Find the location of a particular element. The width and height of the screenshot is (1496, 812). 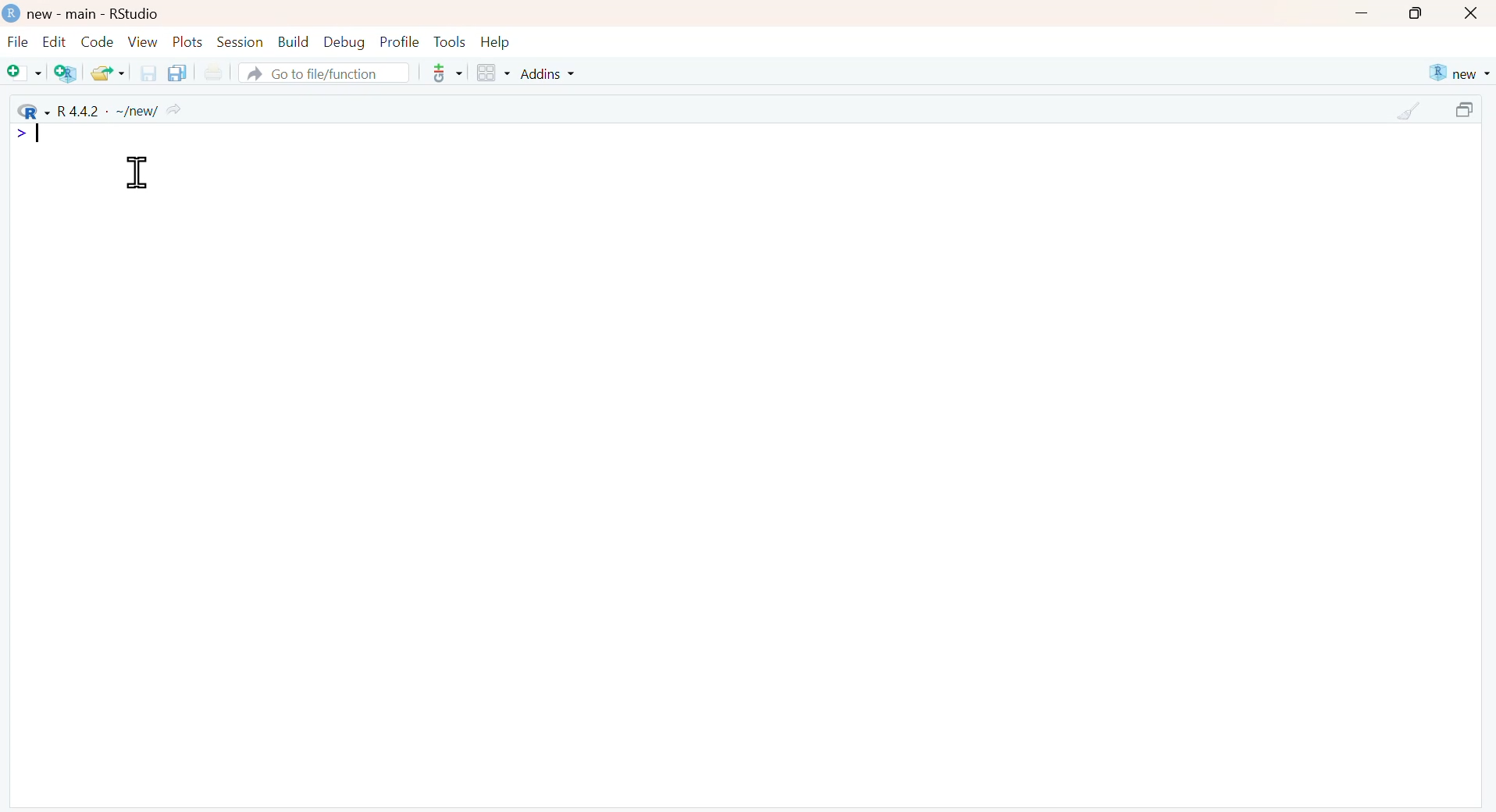

Create a project is located at coordinates (67, 73).